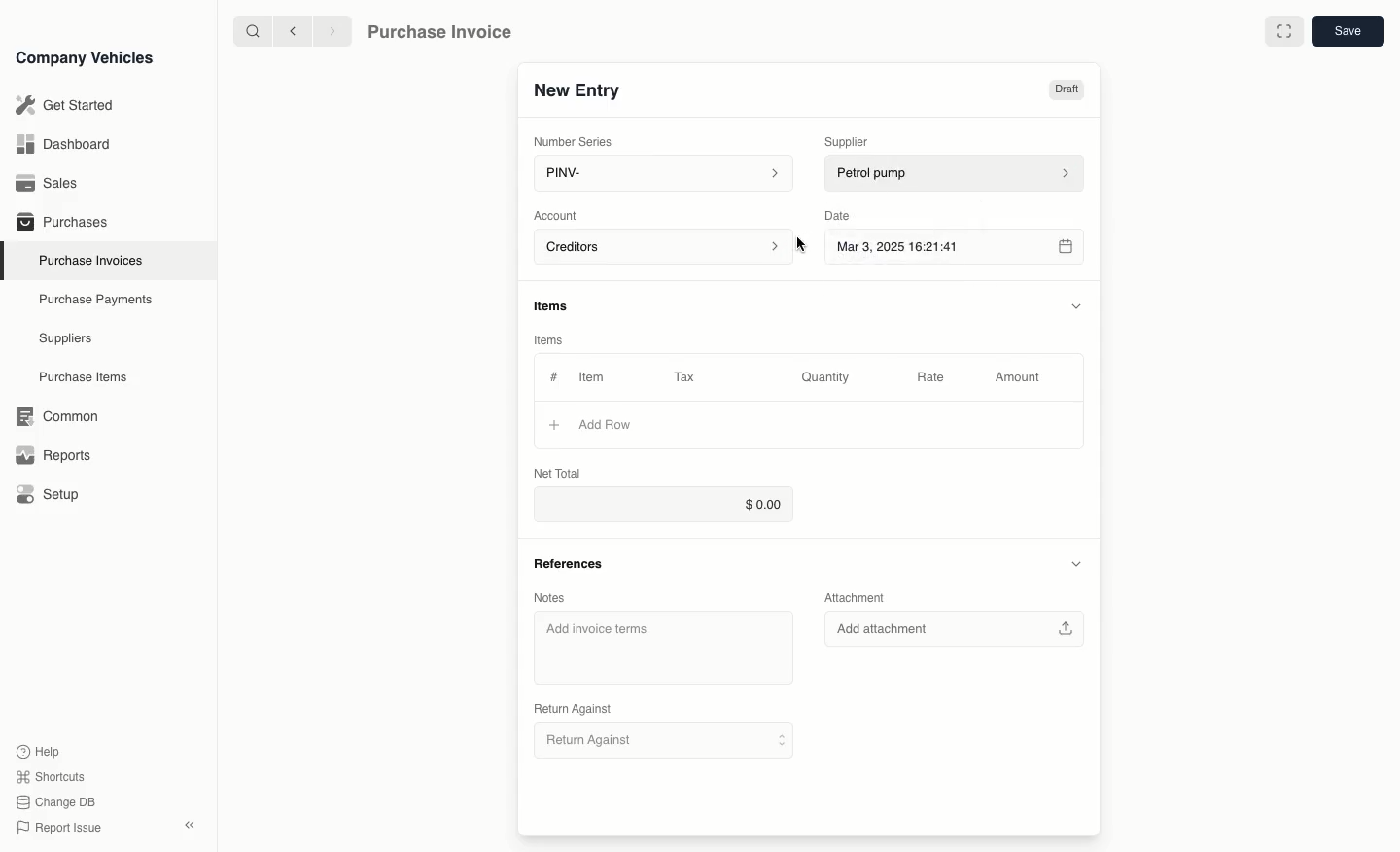 This screenshot has width=1400, height=852. I want to click on Notes., so click(557, 599).